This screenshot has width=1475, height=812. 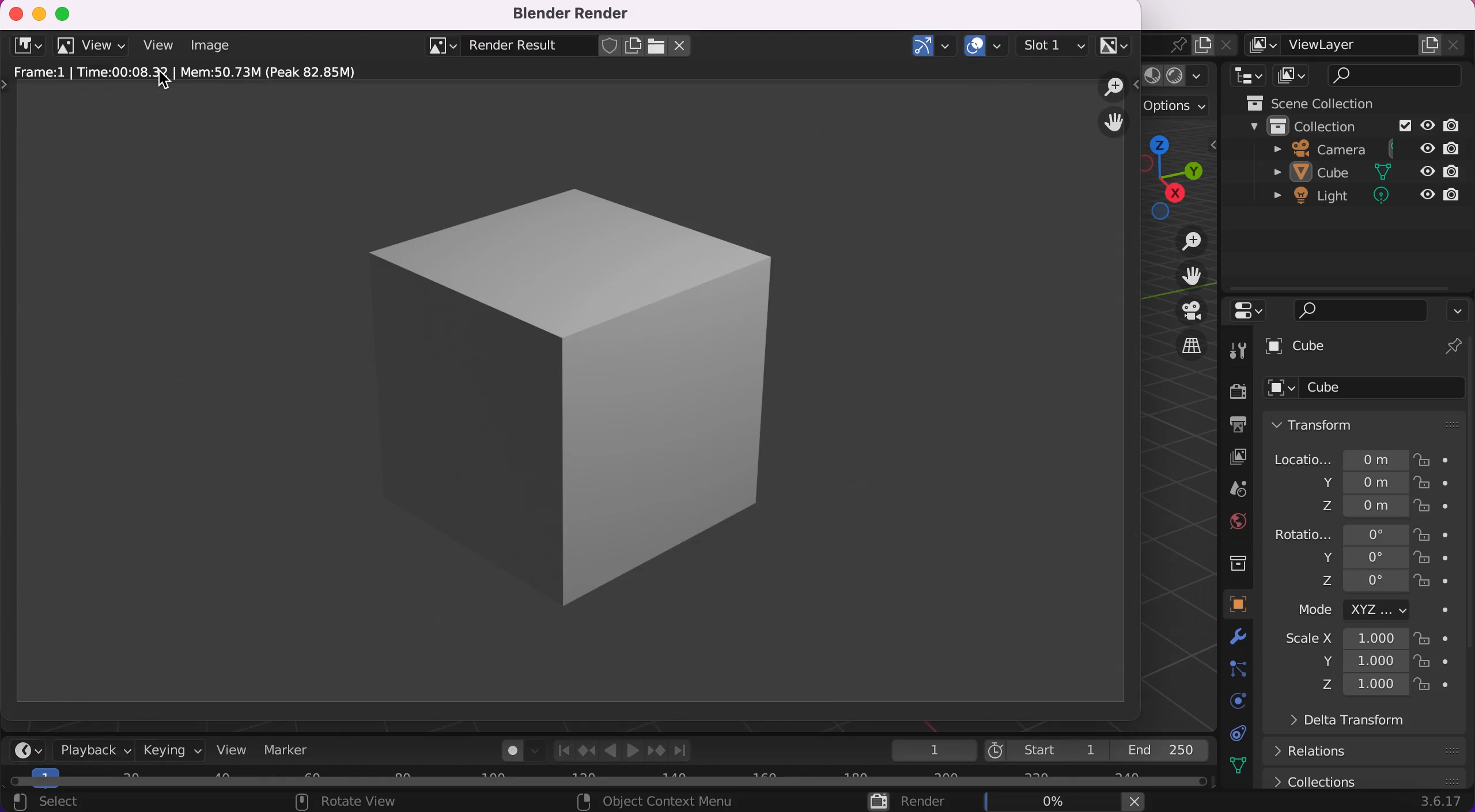 I want to click on disable in render, so click(x=1454, y=193).